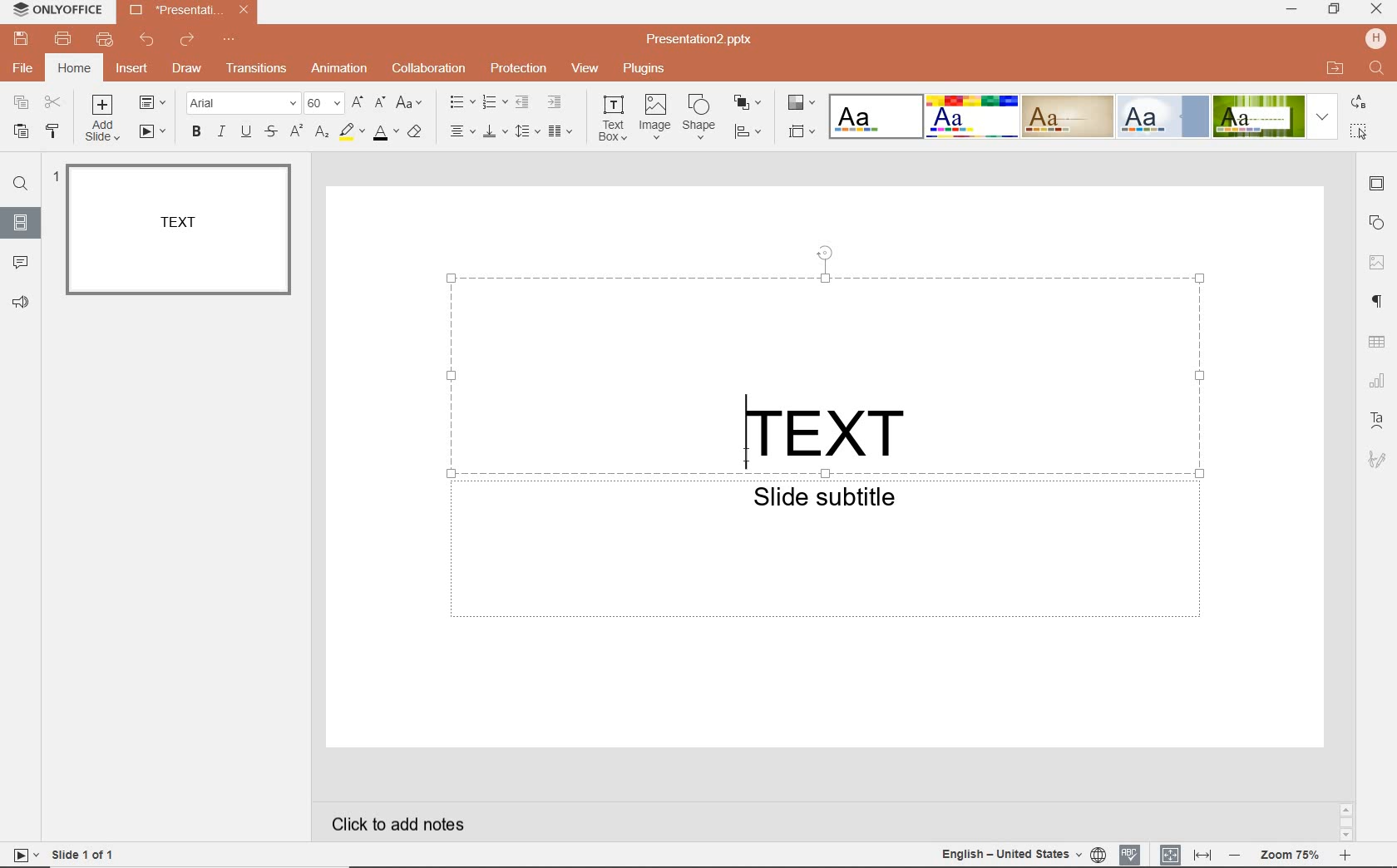  What do you see at coordinates (827, 555) in the screenshot?
I see `TEXT FIELD` at bounding box center [827, 555].